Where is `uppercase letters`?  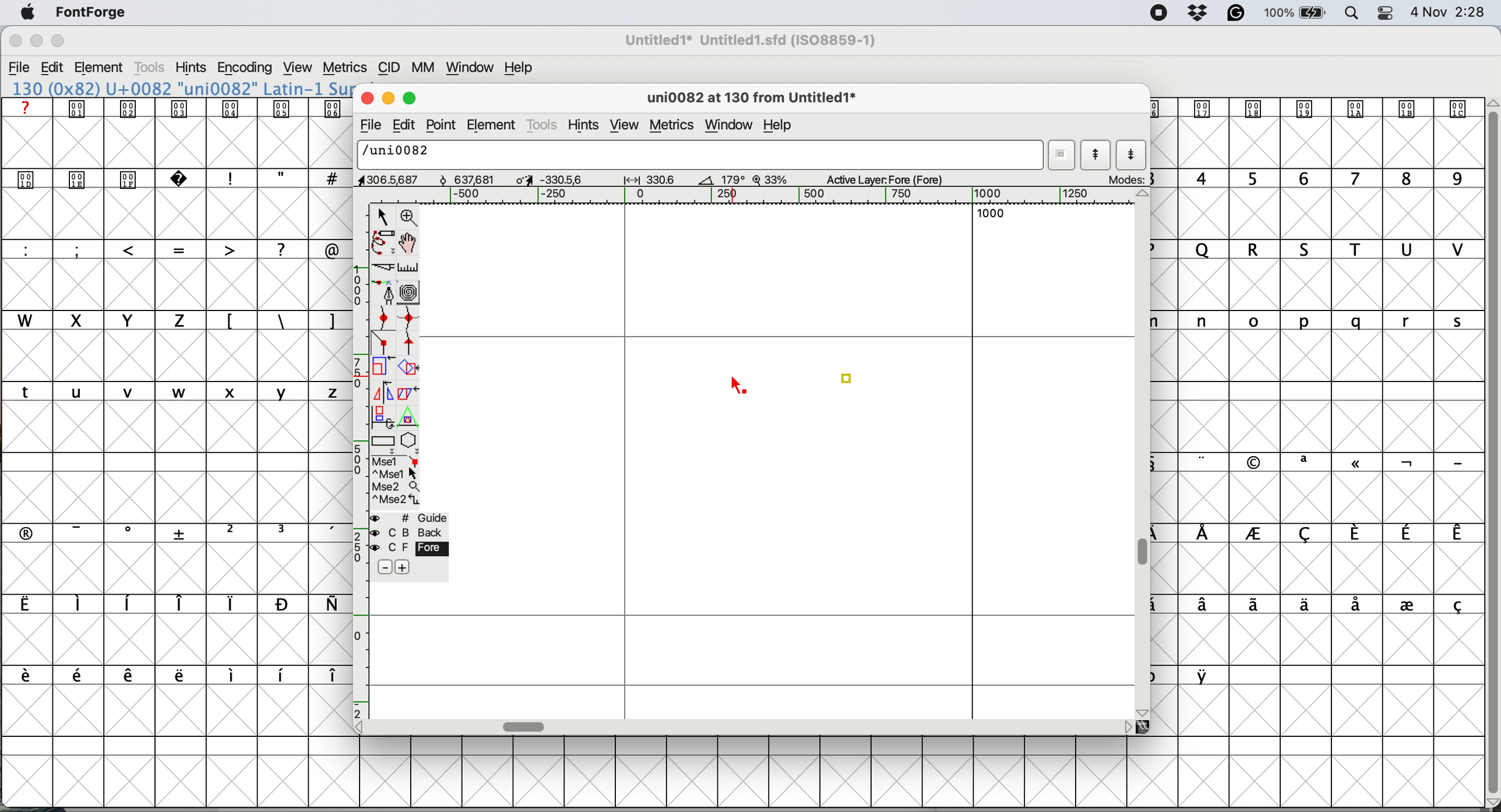
uppercase letters is located at coordinates (1325, 249).